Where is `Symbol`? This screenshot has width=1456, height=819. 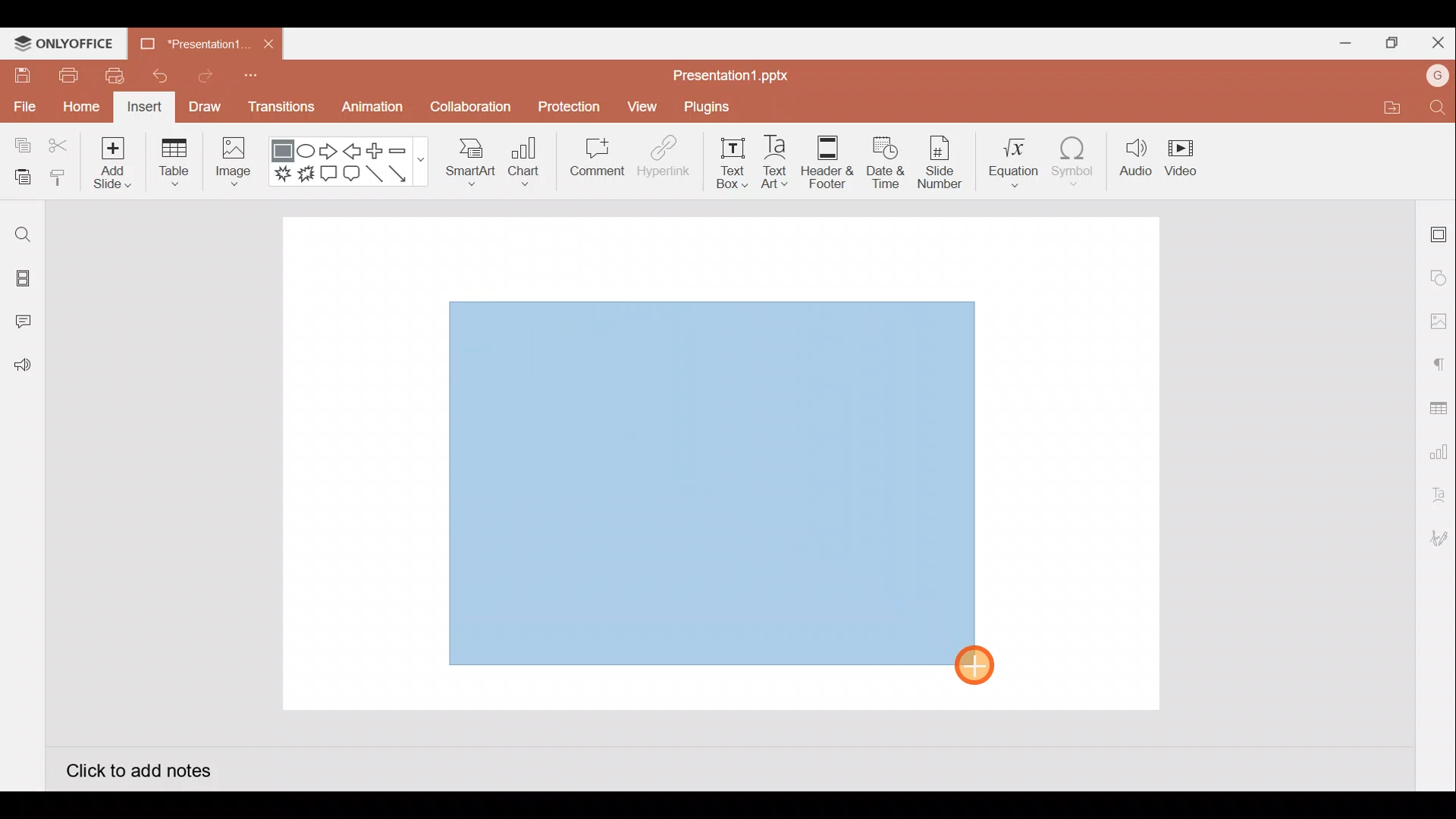
Symbol is located at coordinates (1074, 158).